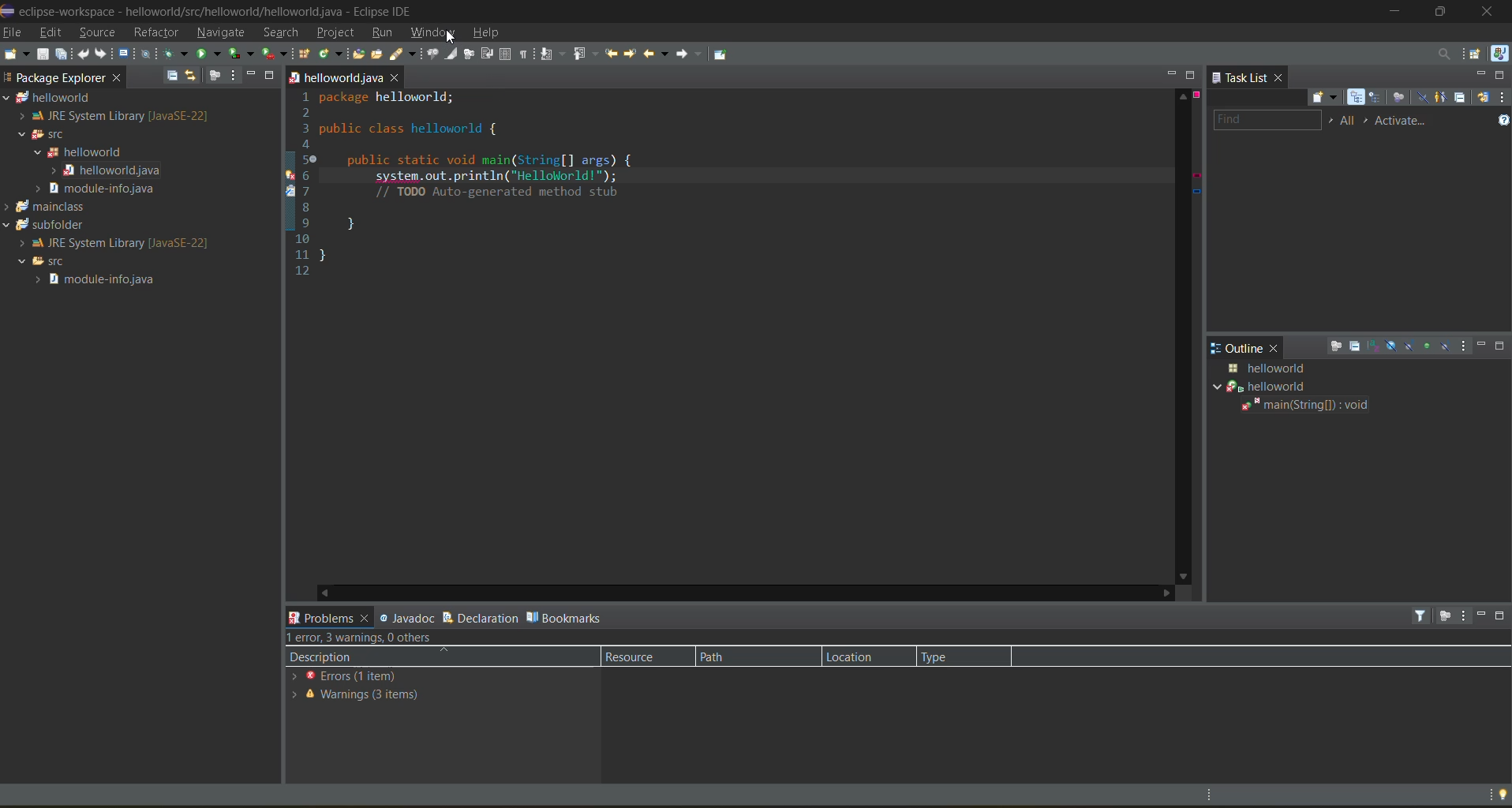 The height and width of the screenshot is (808, 1512). I want to click on edit task working sets, so click(1349, 121).